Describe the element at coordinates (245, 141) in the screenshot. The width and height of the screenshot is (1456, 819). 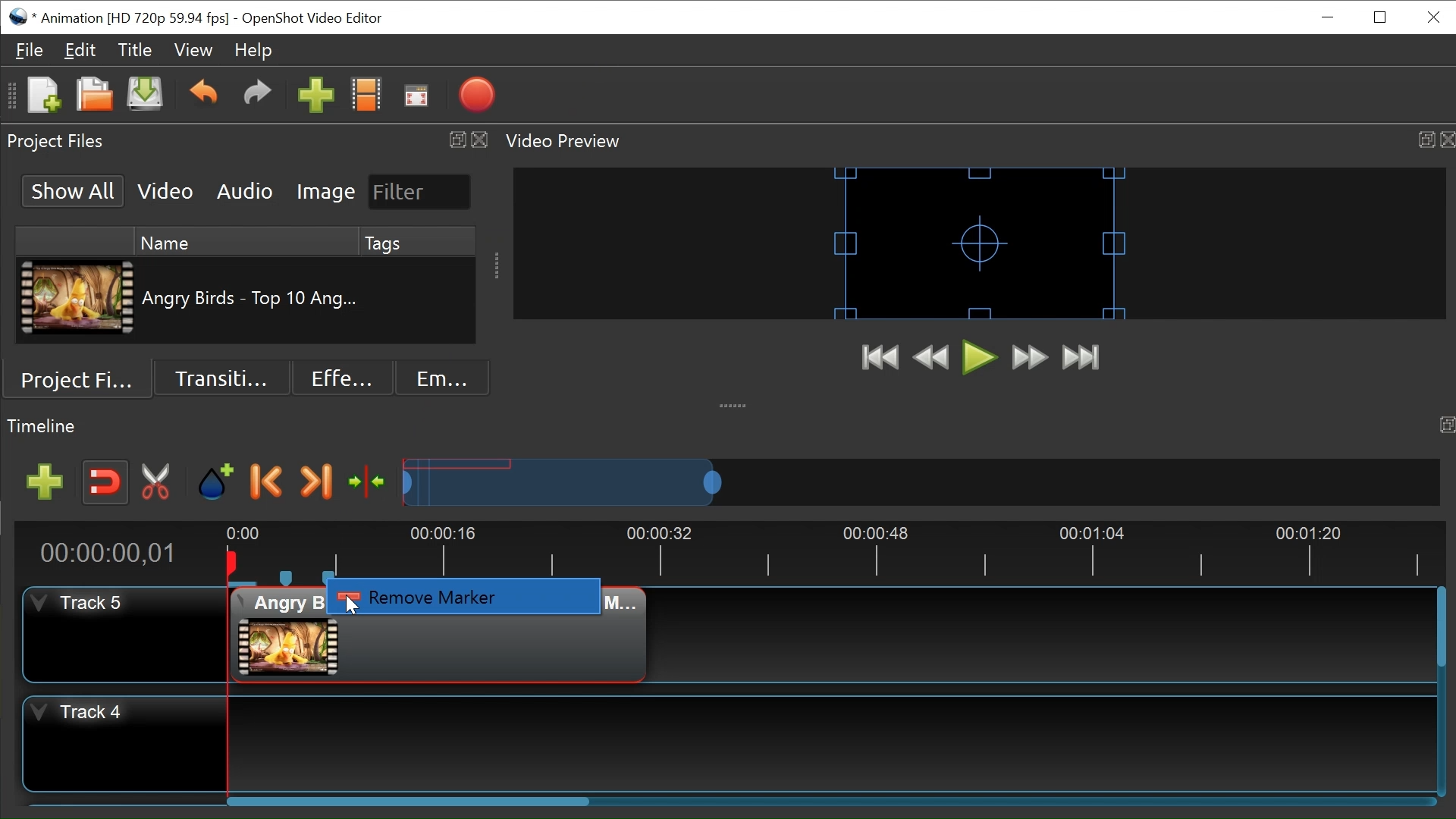
I see `Project Files Panel` at that location.